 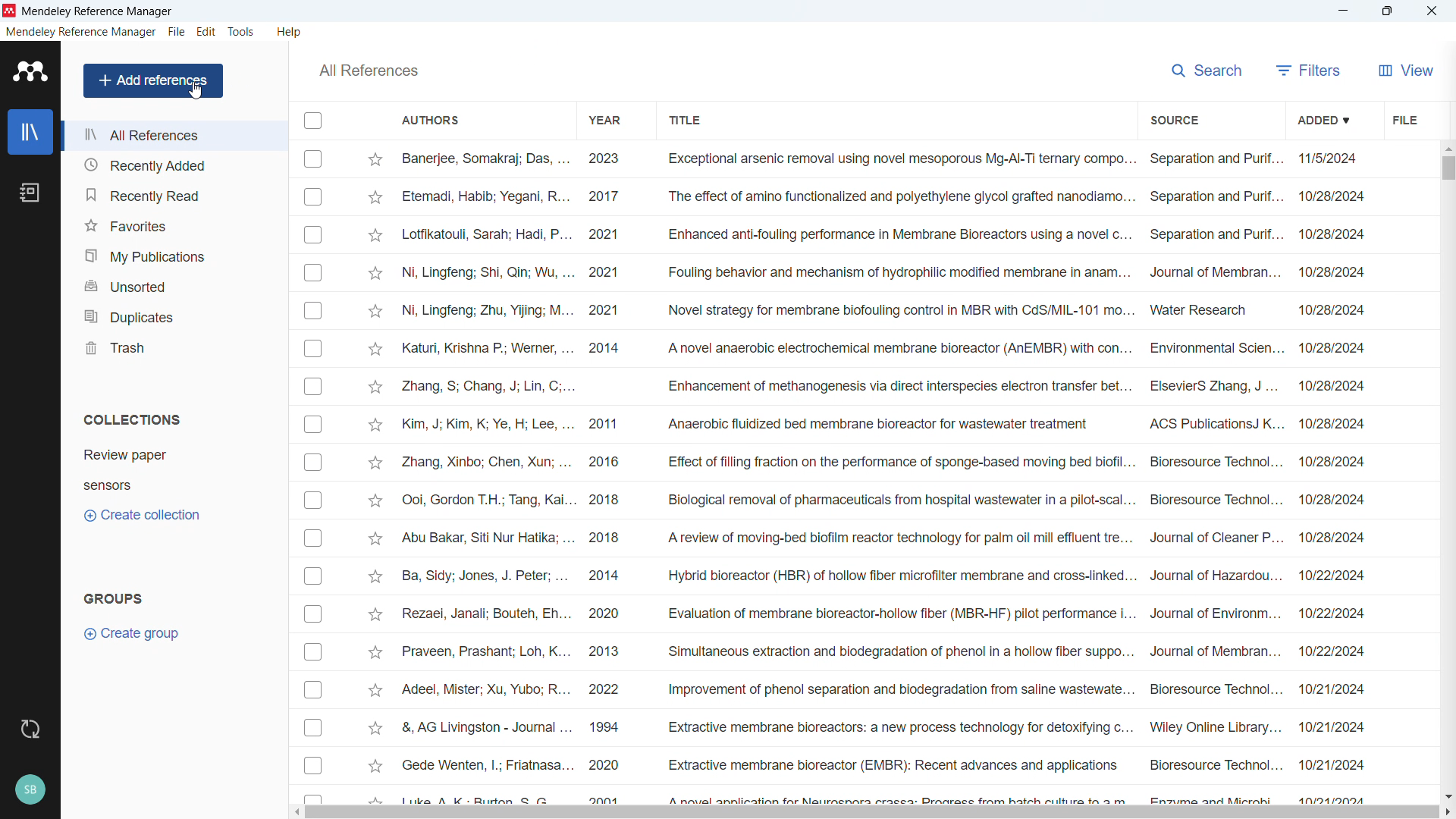 I want to click on Profile , so click(x=30, y=790).